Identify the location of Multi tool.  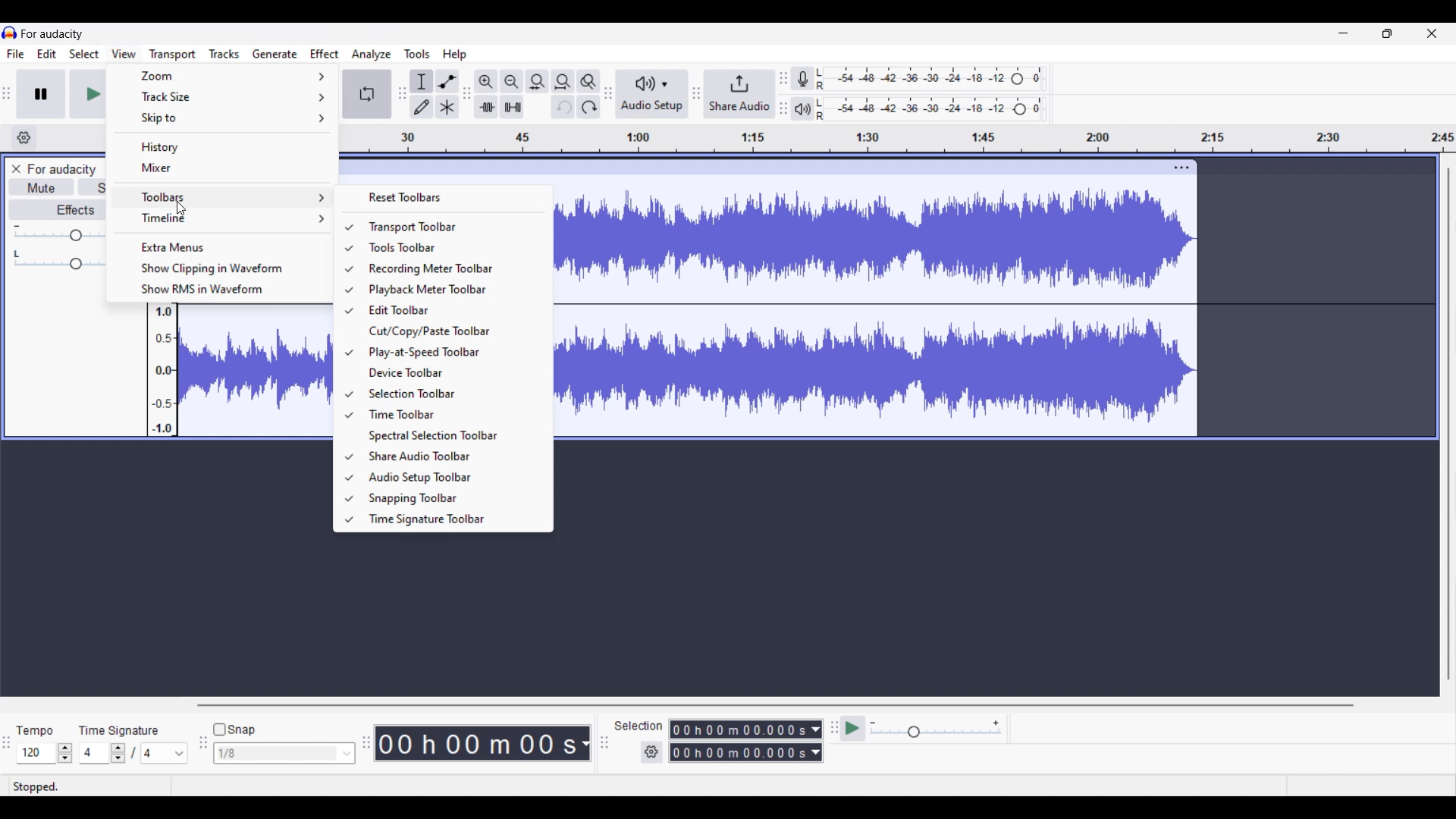
(446, 107).